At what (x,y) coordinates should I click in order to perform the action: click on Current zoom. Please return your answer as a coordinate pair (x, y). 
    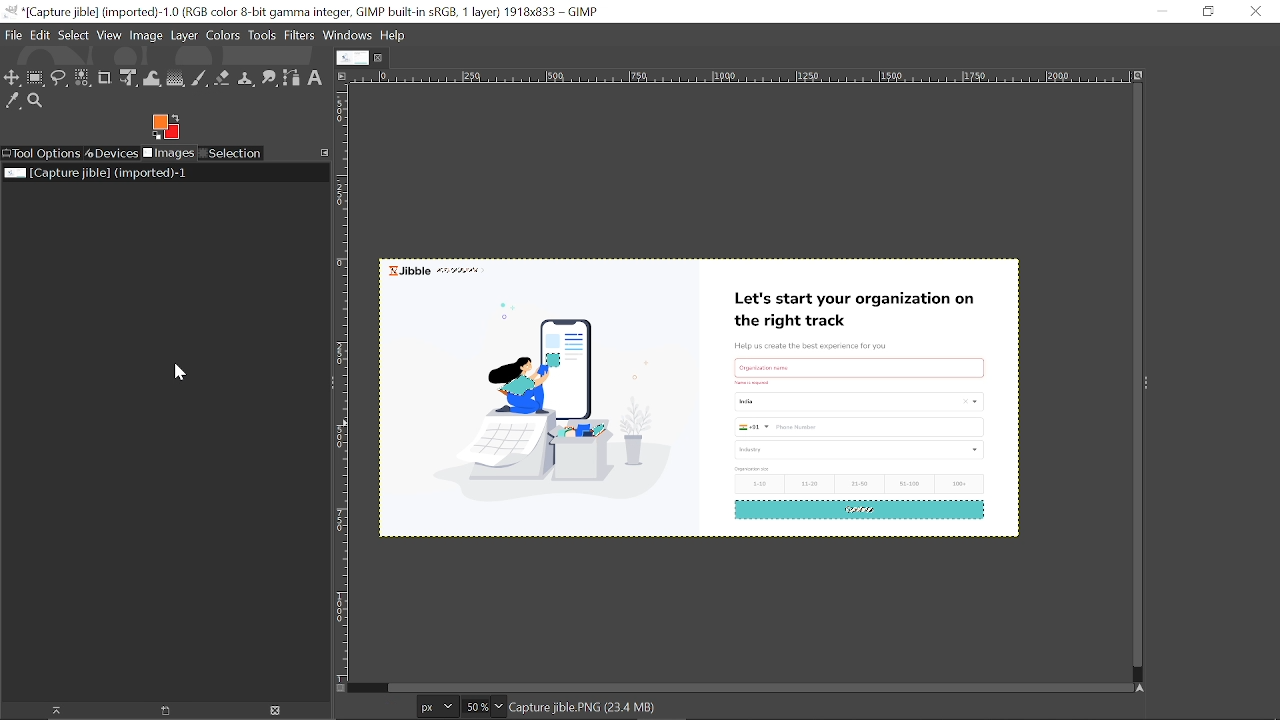
    Looking at the image, I should click on (474, 707).